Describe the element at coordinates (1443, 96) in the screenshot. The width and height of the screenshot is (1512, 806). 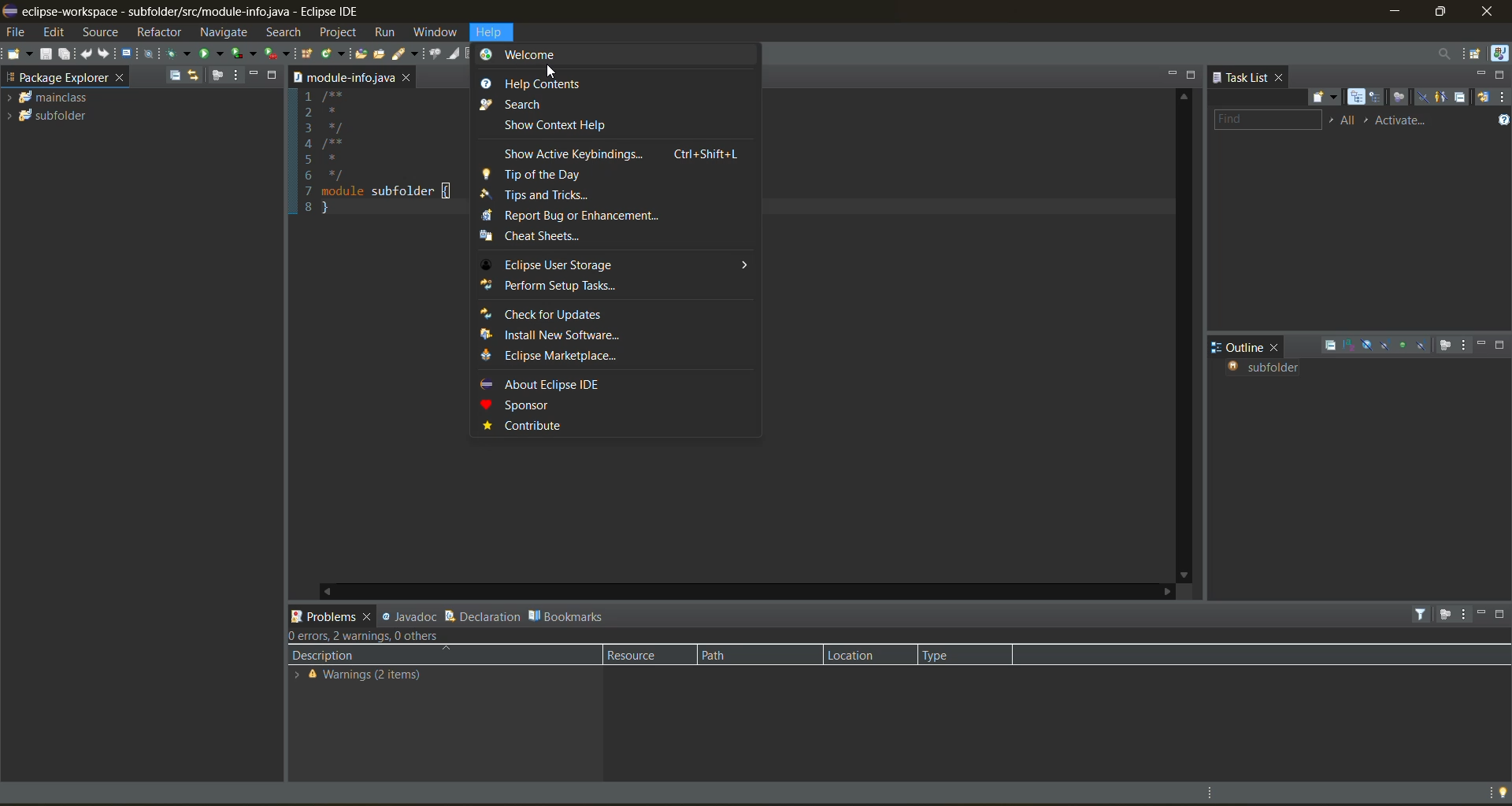
I see `show only my tasks` at that location.